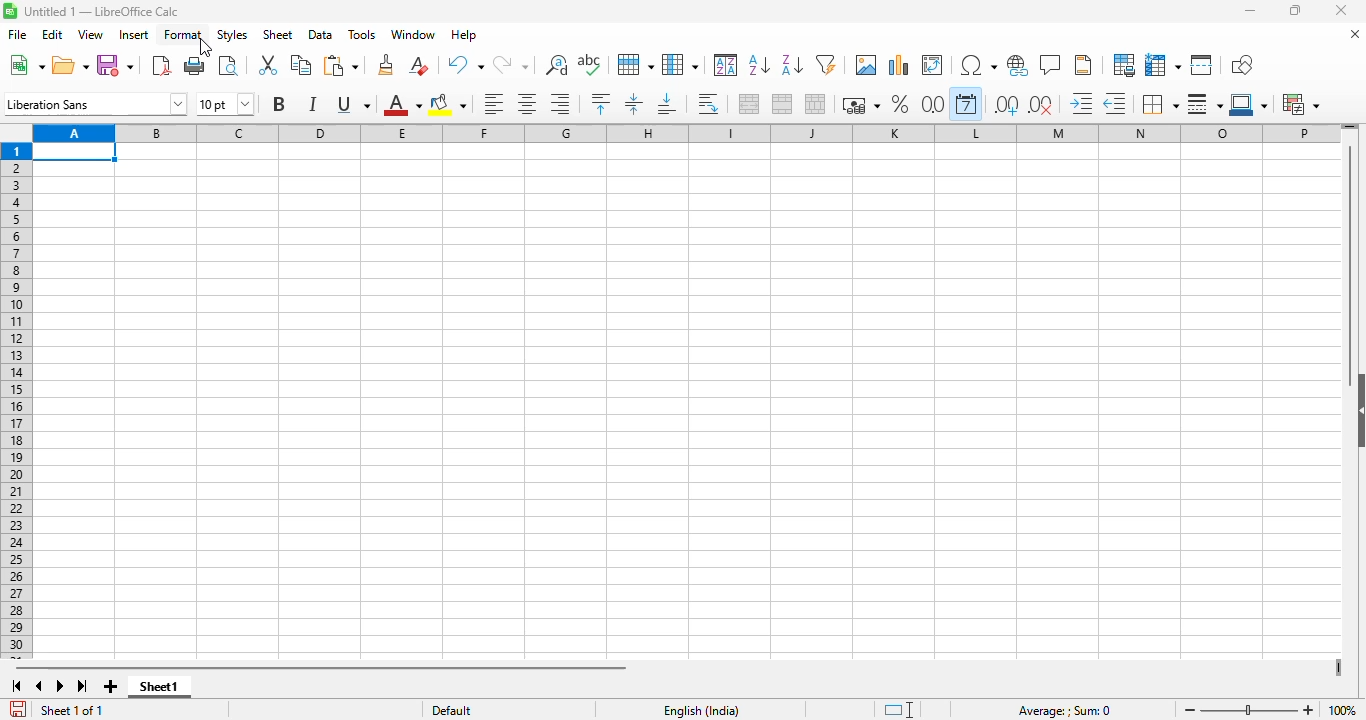  What do you see at coordinates (320, 669) in the screenshot?
I see `horizontal scroll bar` at bounding box center [320, 669].